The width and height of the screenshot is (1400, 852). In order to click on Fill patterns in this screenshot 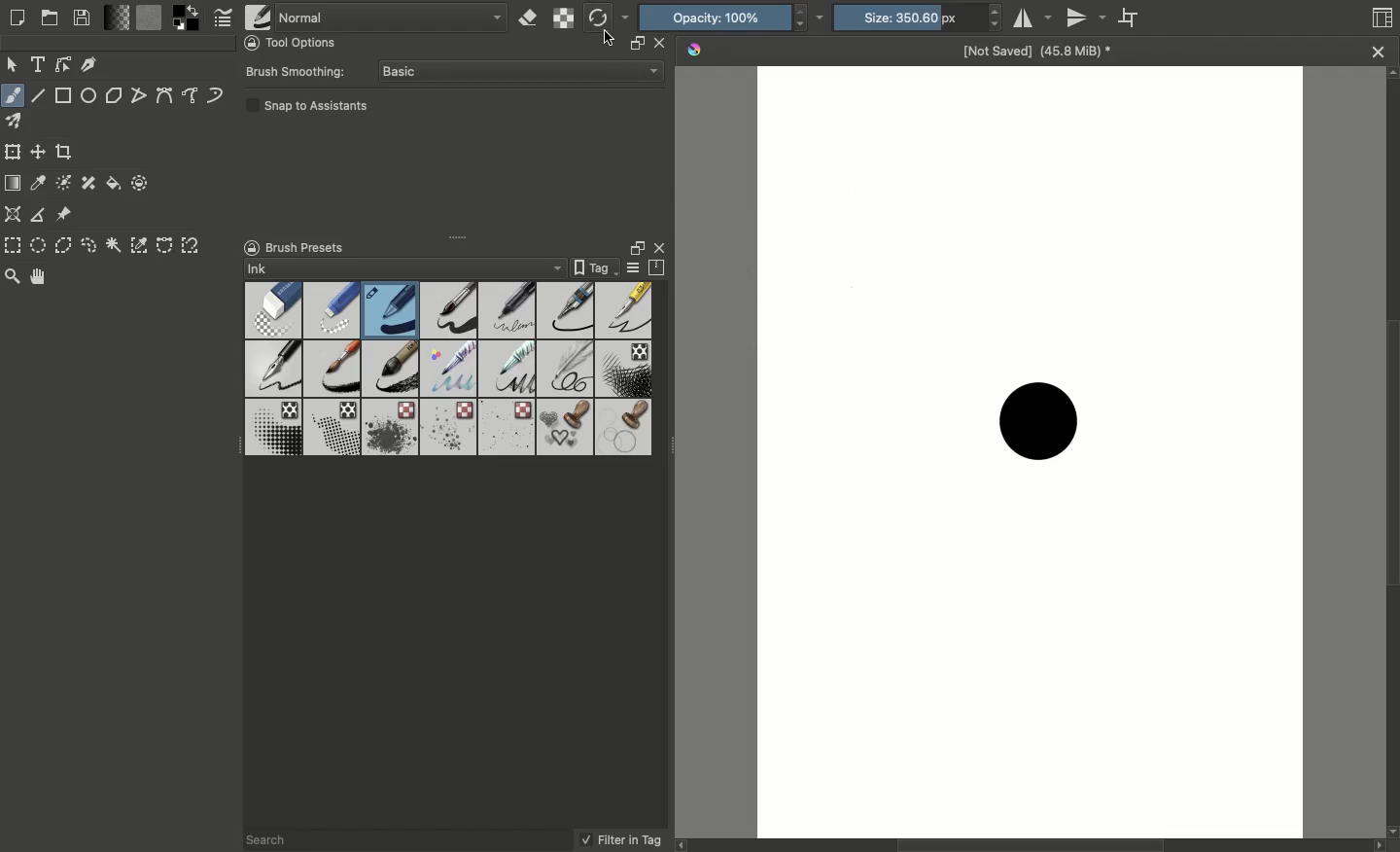, I will do `click(151, 20)`.